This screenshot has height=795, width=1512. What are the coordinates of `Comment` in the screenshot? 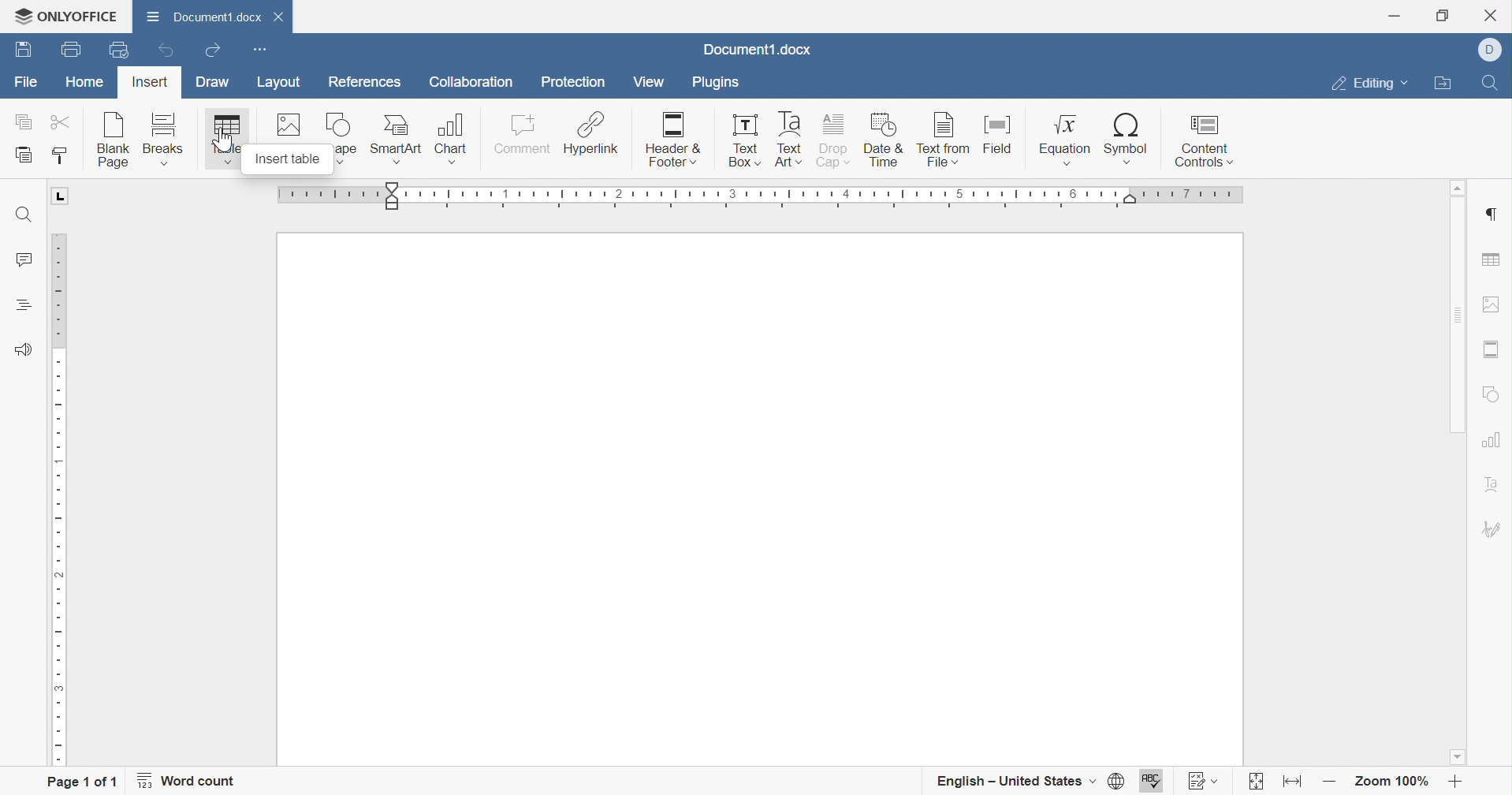 It's located at (523, 139).